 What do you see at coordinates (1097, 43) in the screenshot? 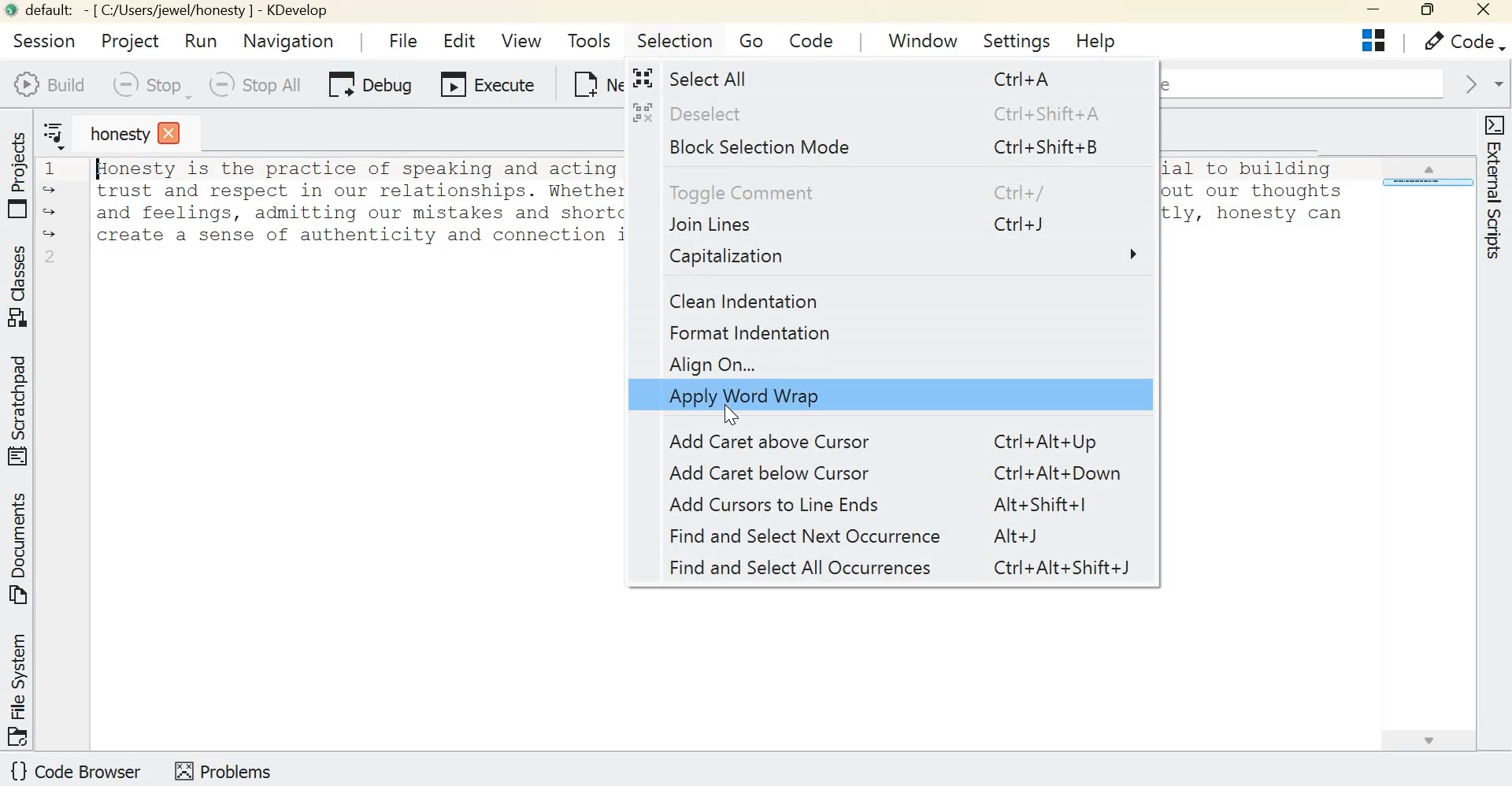
I see `Help` at bounding box center [1097, 43].